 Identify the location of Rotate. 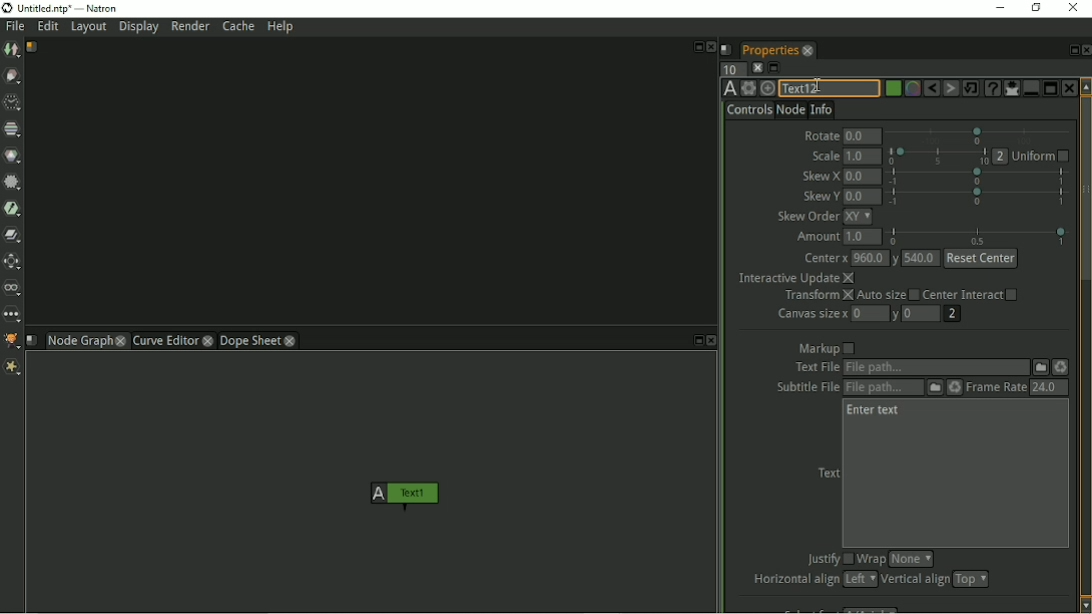
(820, 133).